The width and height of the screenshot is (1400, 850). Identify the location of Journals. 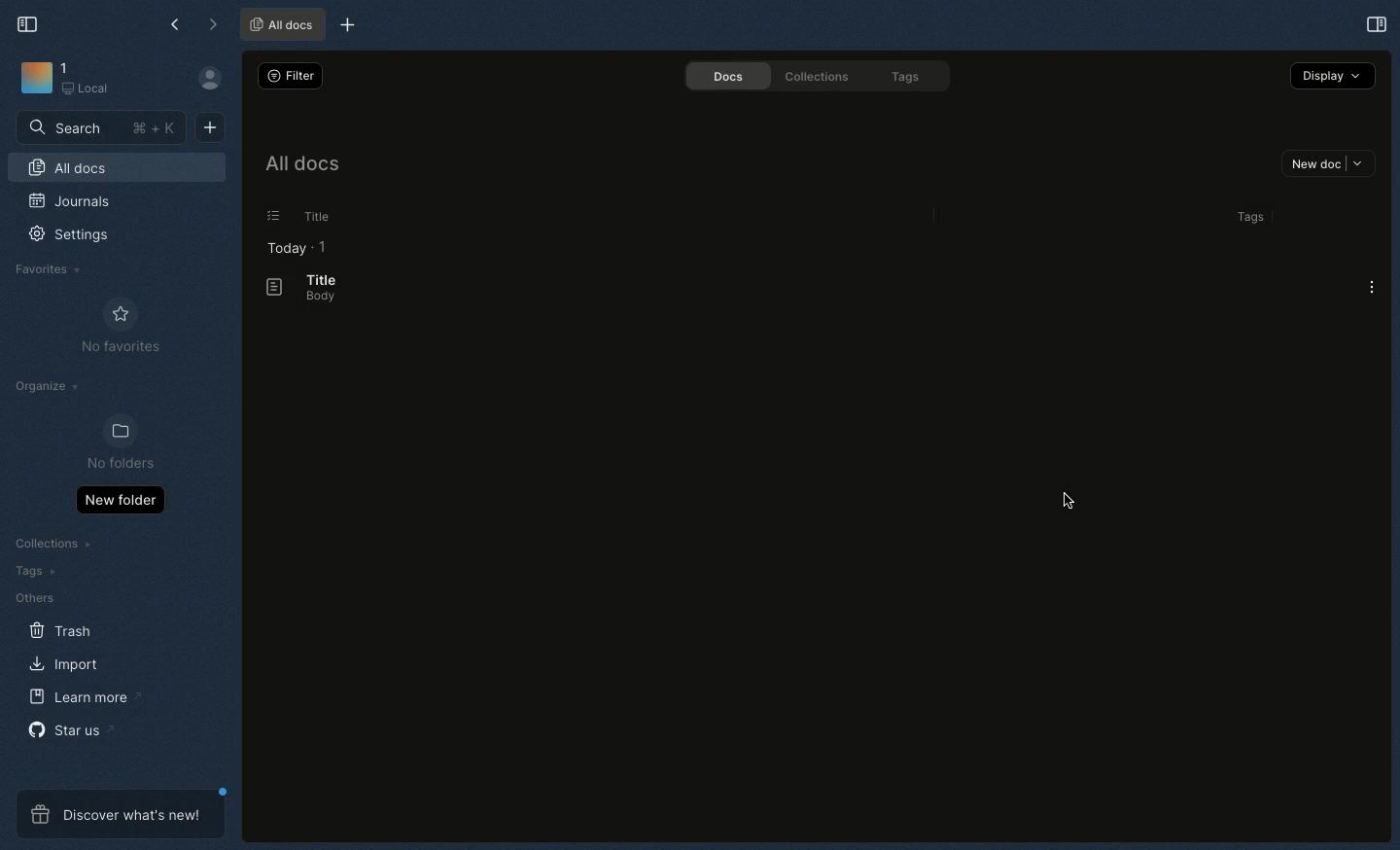
(71, 203).